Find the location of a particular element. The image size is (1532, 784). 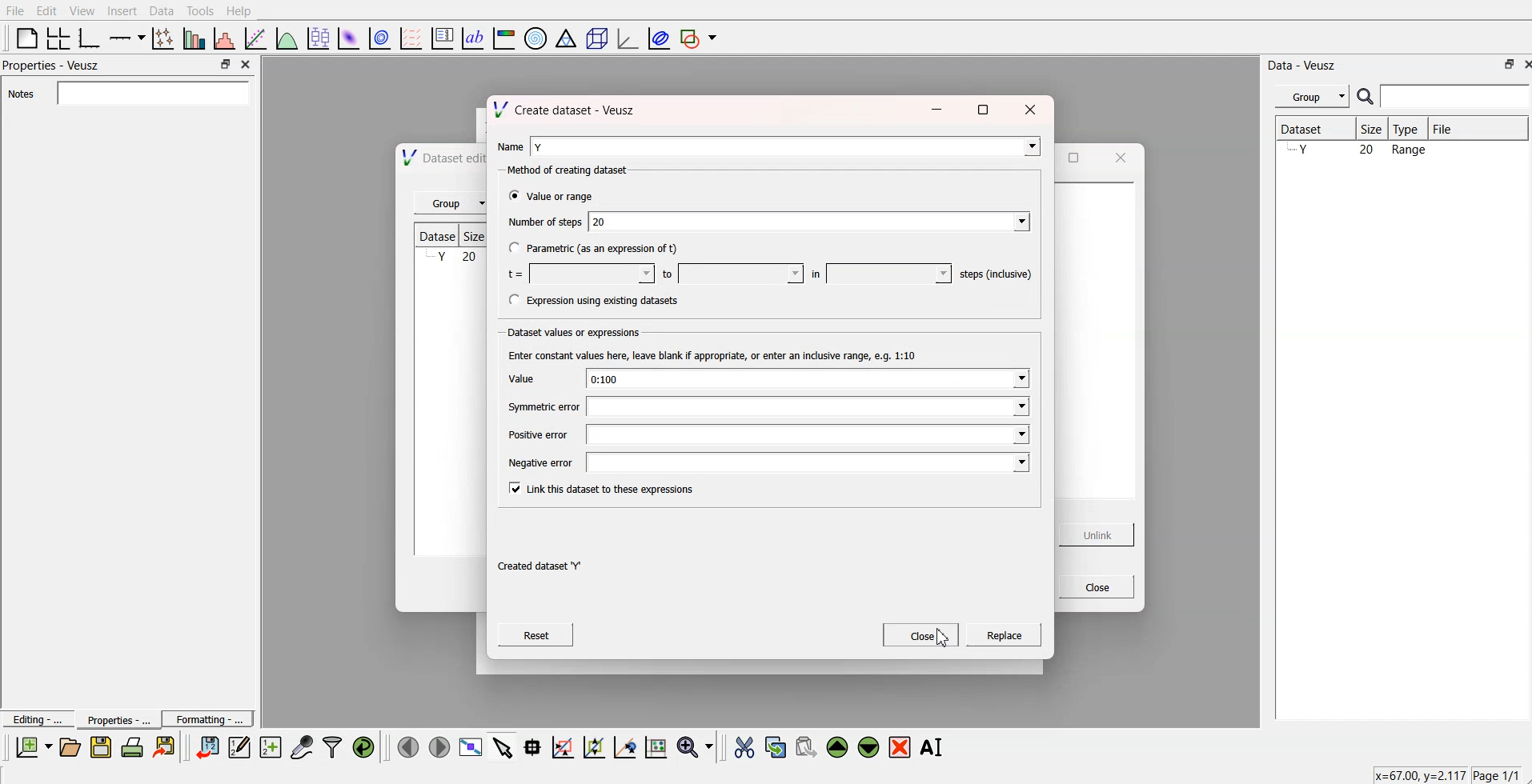

select items from the graph is located at coordinates (505, 746).